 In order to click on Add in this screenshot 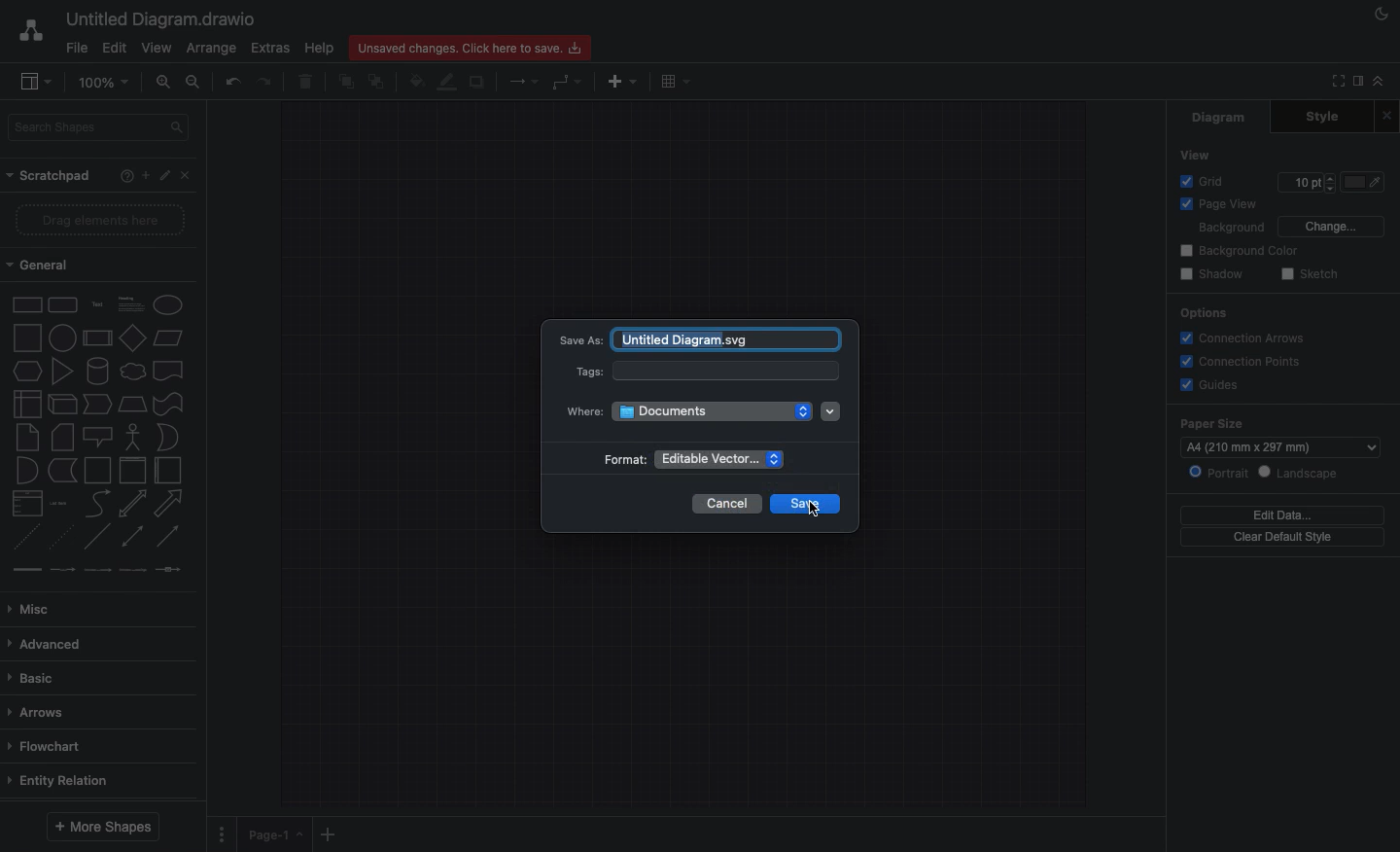, I will do `click(142, 176)`.